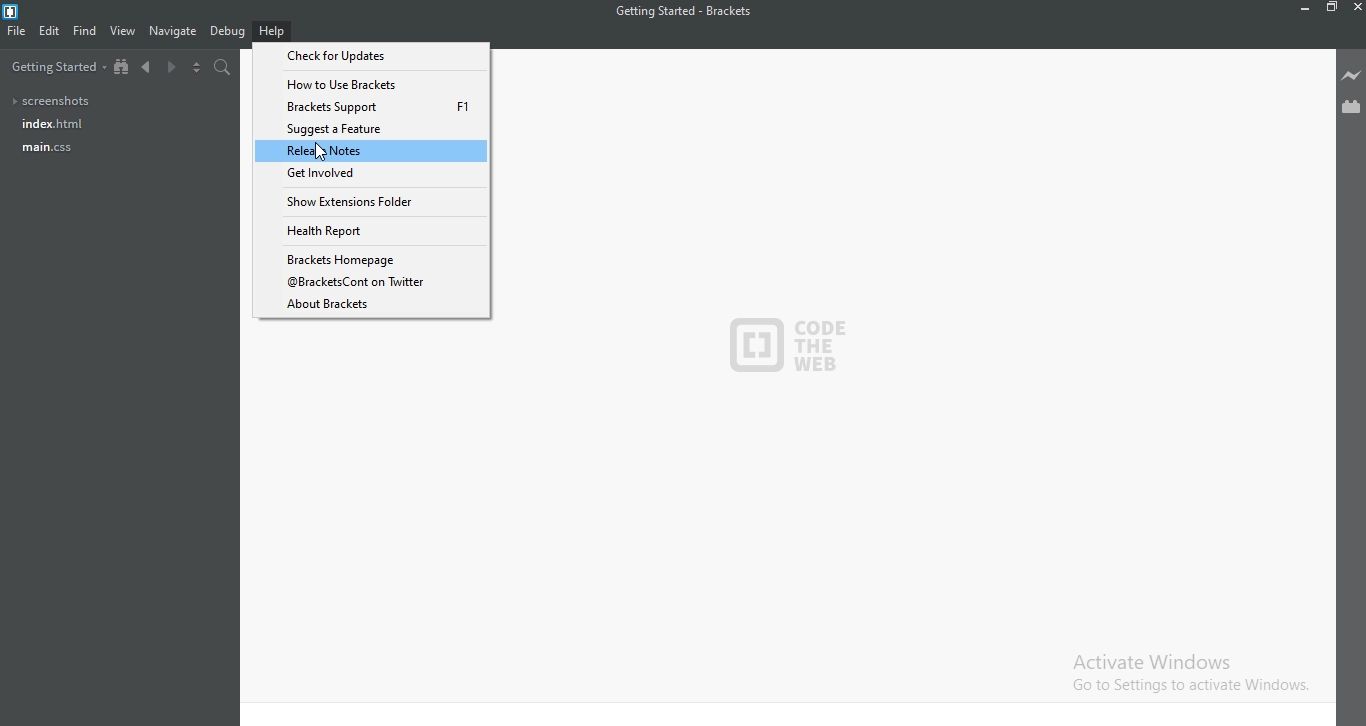 The width and height of the screenshot is (1366, 726). I want to click on Getting started, so click(60, 65).